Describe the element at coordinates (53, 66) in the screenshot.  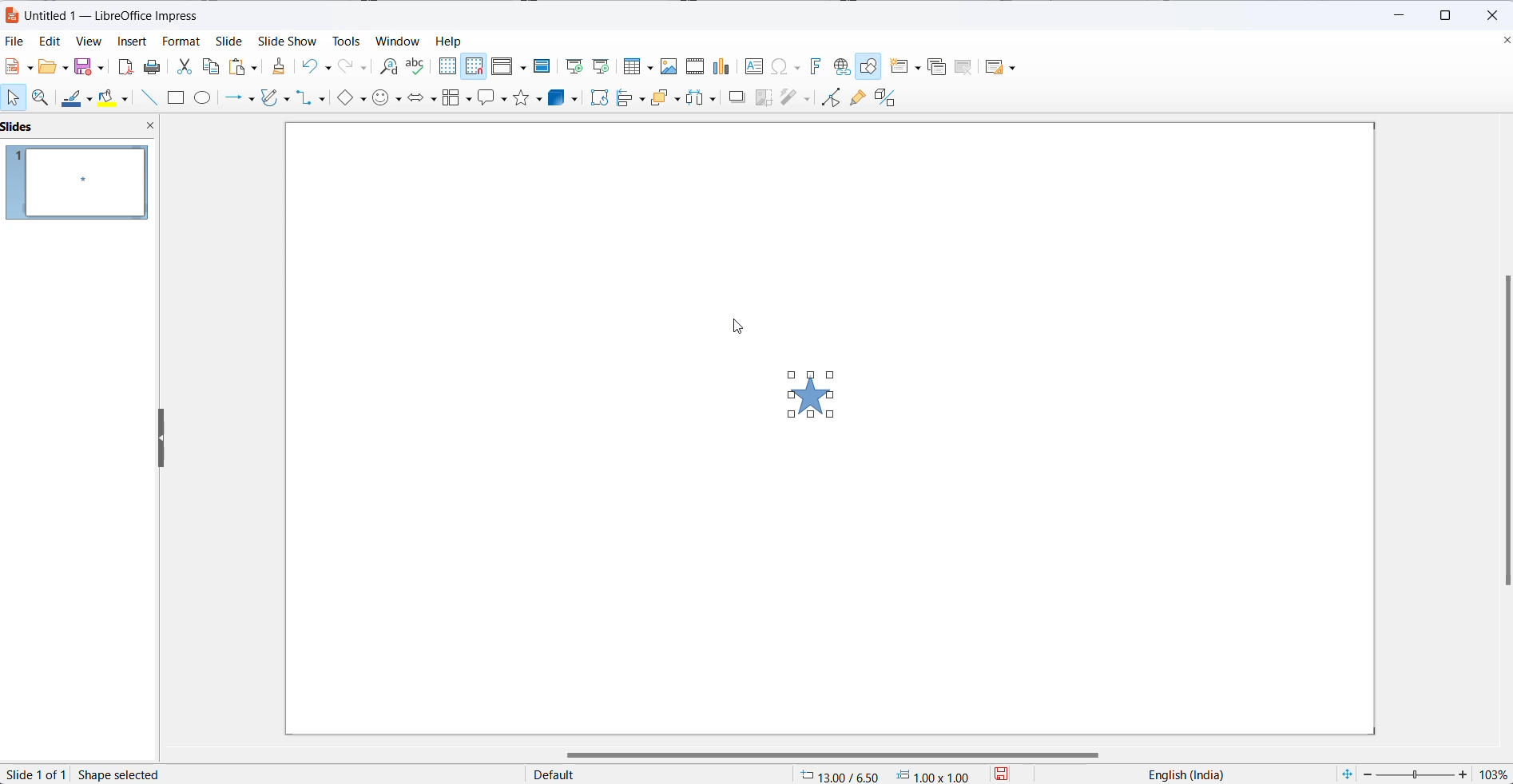
I see `open` at that location.